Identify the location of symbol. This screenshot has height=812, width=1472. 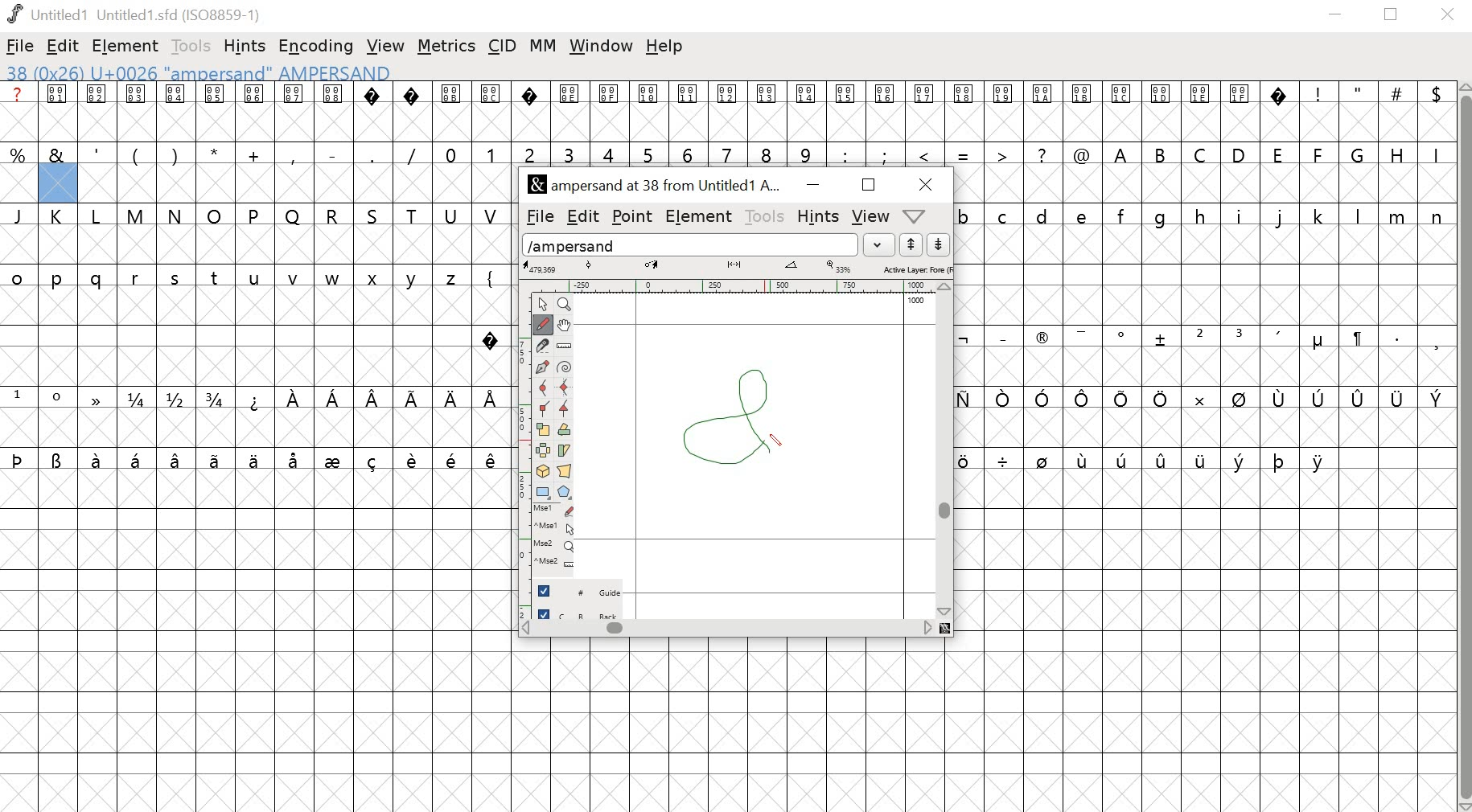
(1123, 458).